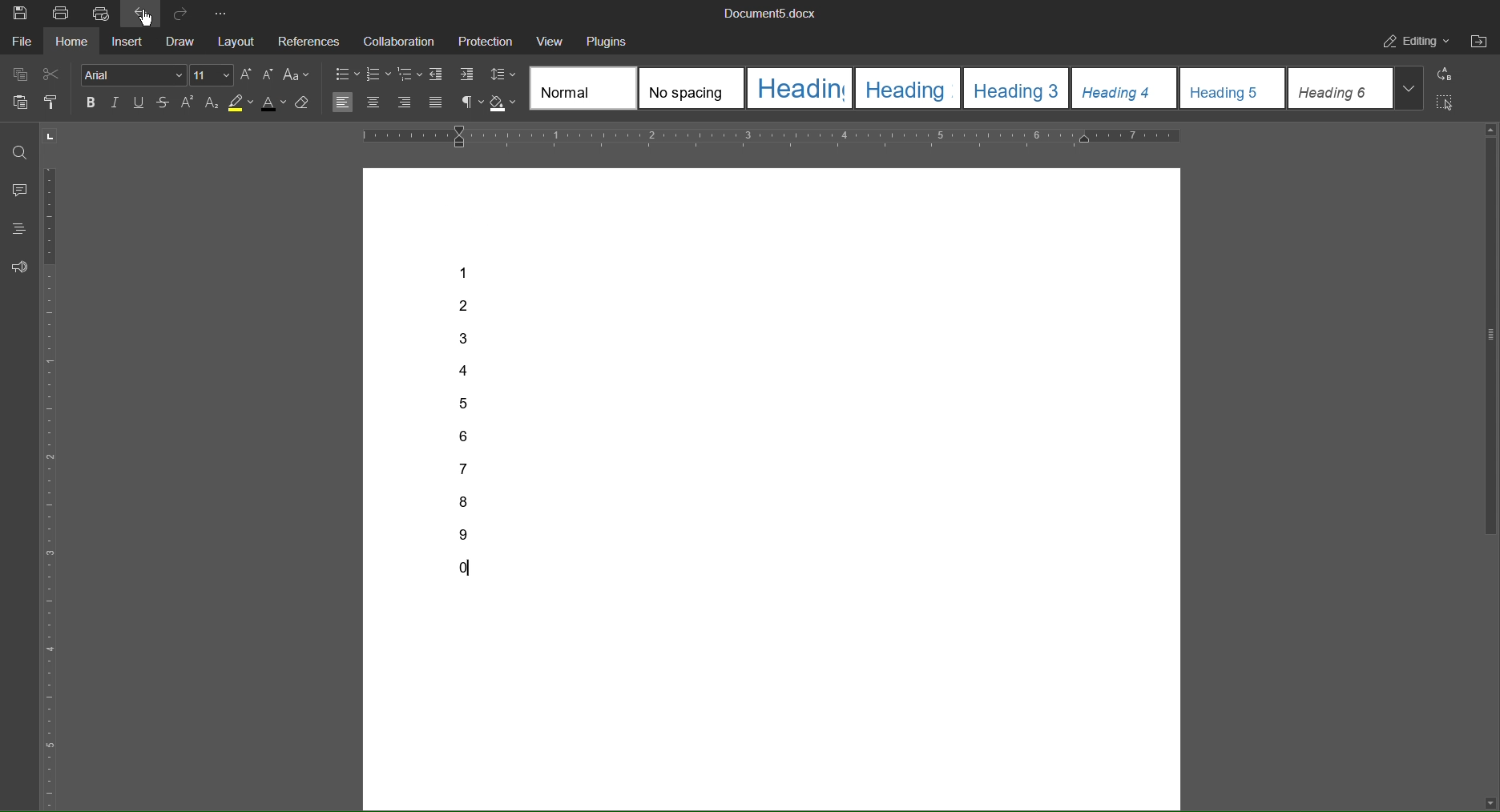 This screenshot has height=812, width=1500. What do you see at coordinates (1490, 802) in the screenshot?
I see `scroll down` at bounding box center [1490, 802].